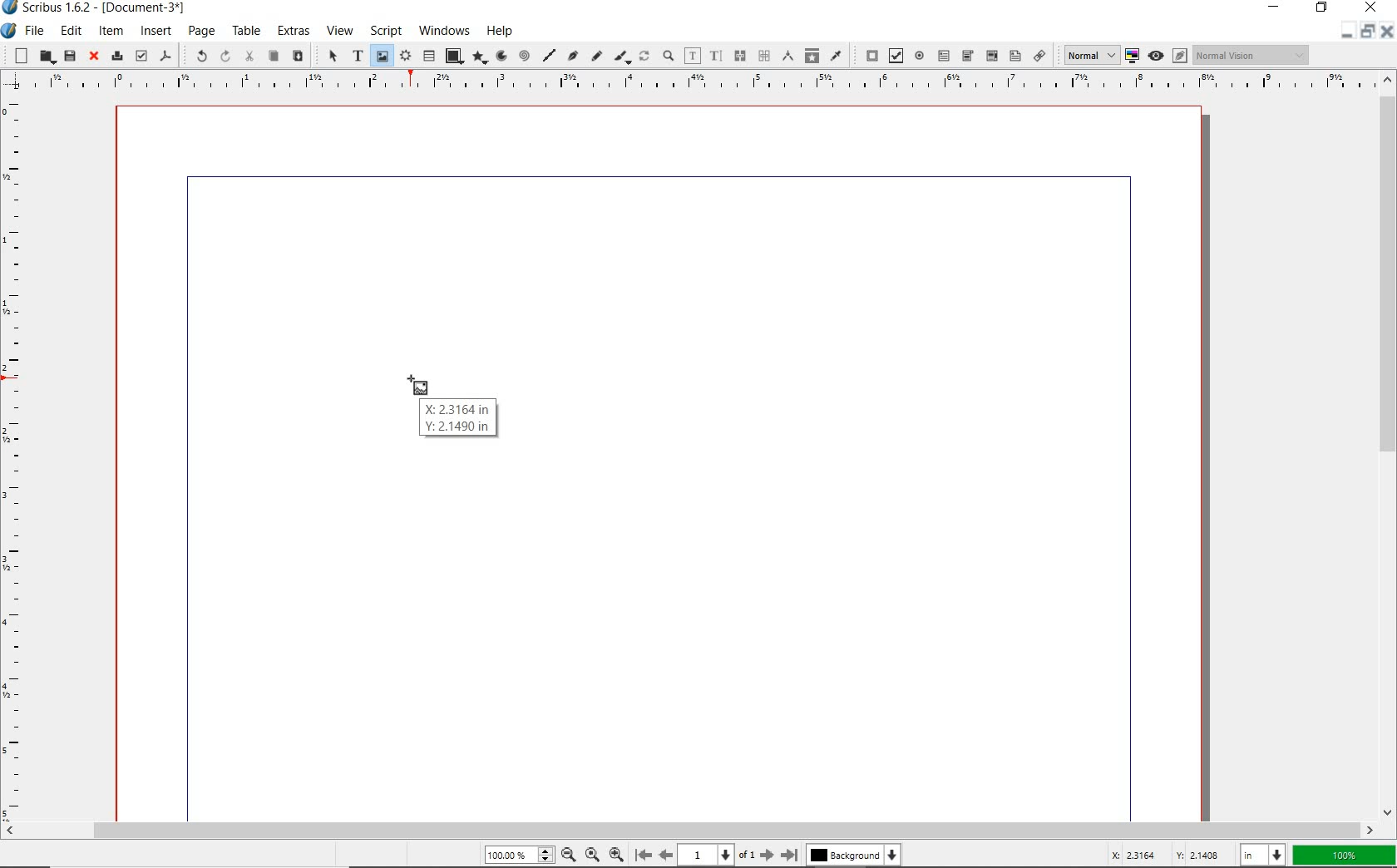 The width and height of the screenshot is (1397, 868). Describe the element at coordinates (444, 31) in the screenshot. I see `WINDOWS` at that location.